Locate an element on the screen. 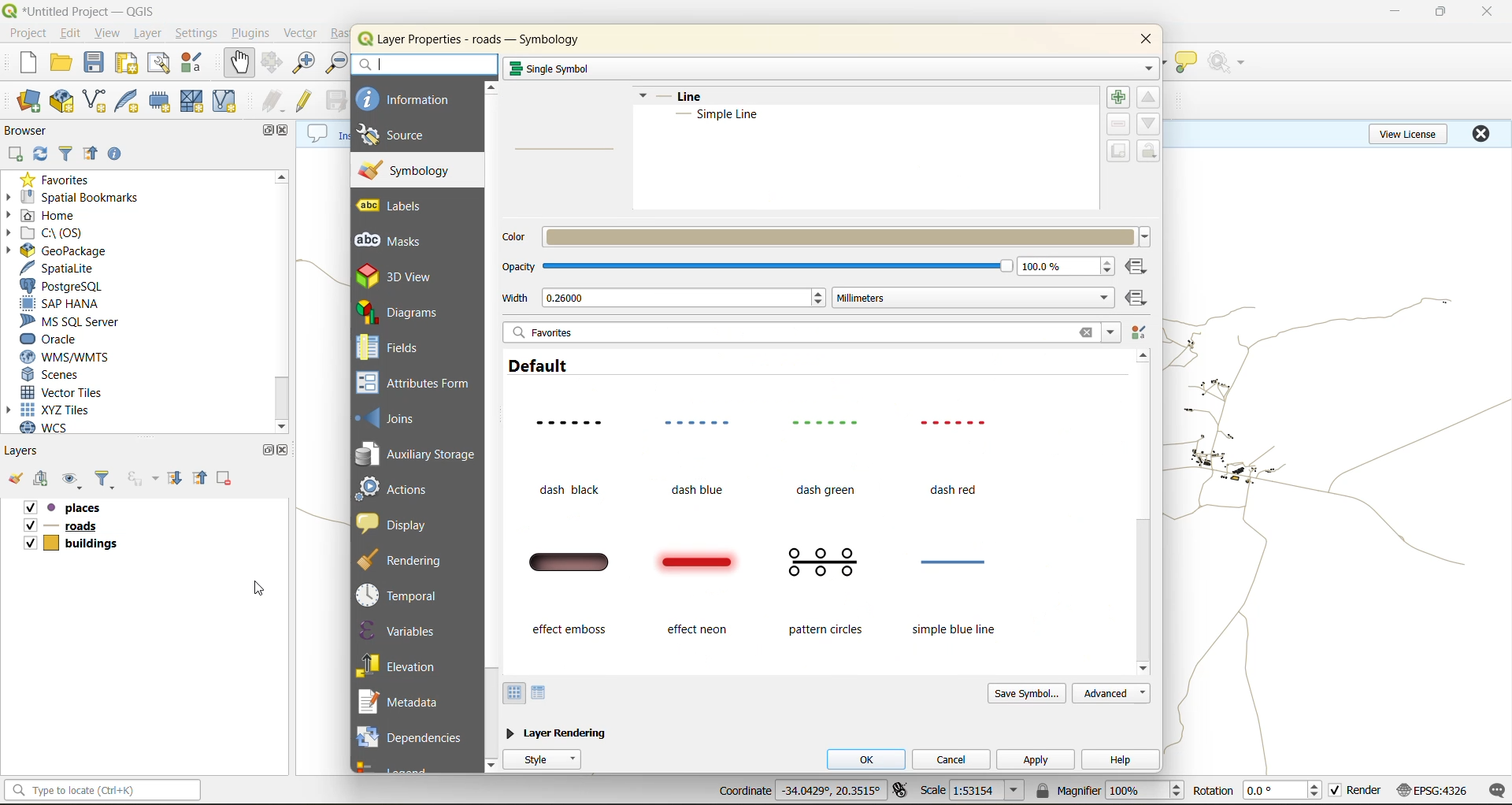 The image size is (1512, 805). style is located at coordinates (542, 759).